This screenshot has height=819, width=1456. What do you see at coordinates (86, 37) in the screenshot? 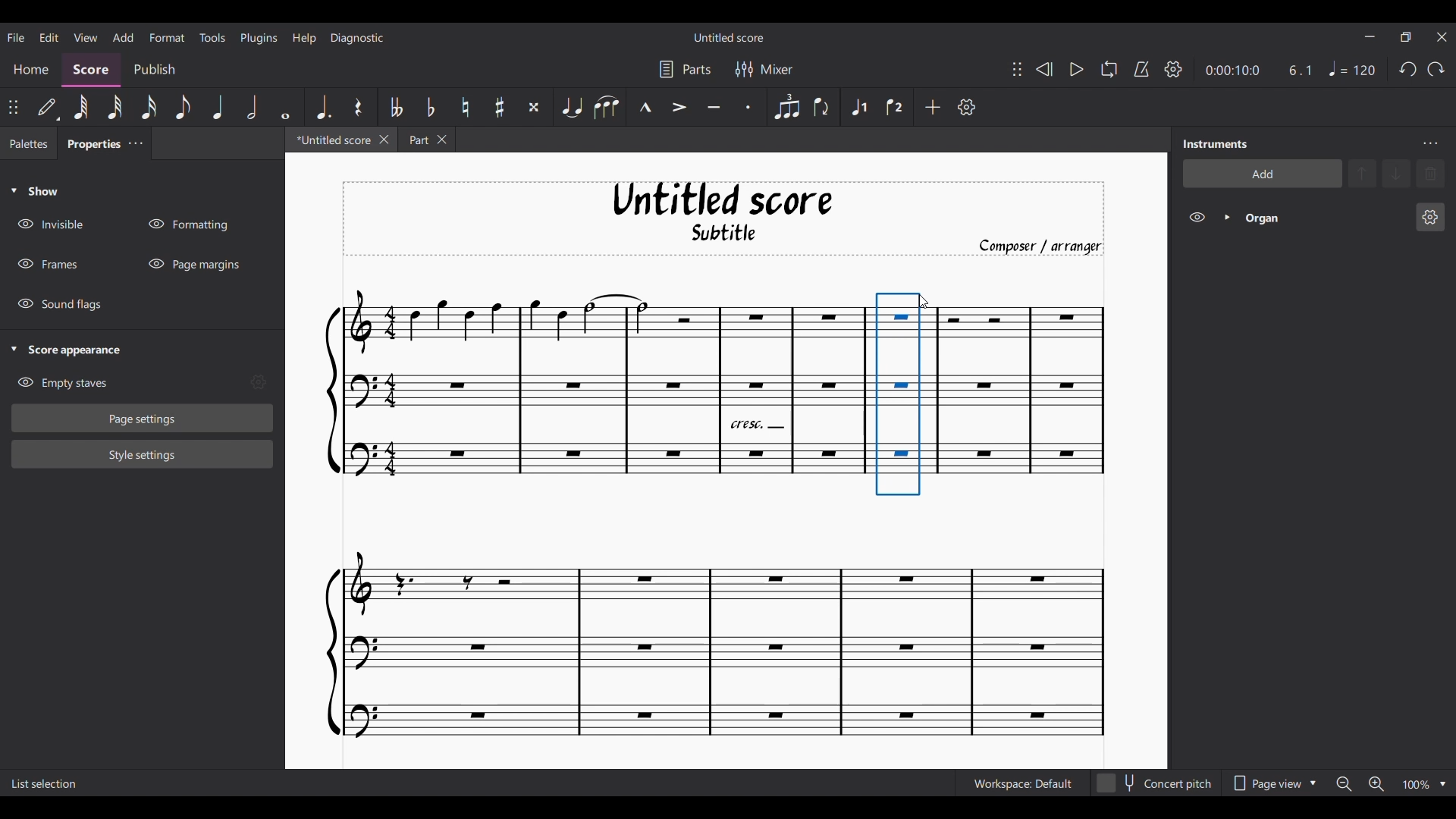
I see `View menu` at bounding box center [86, 37].